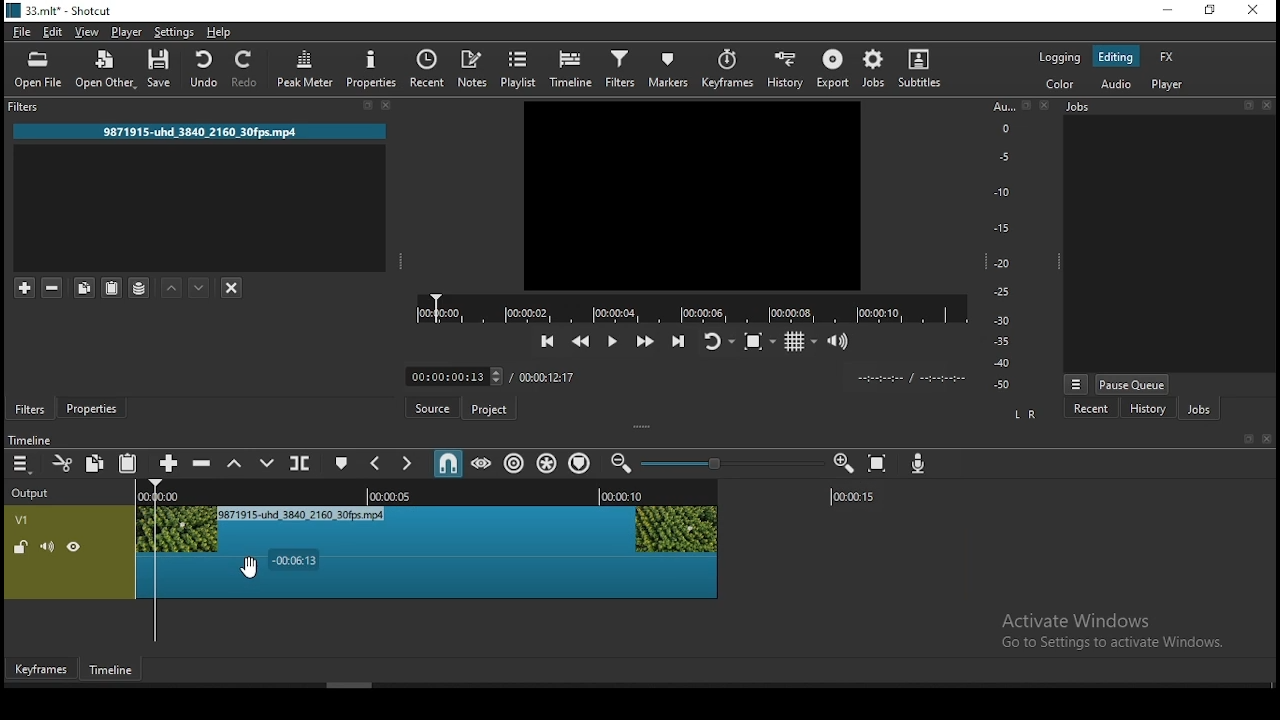 The height and width of the screenshot is (720, 1280). What do you see at coordinates (34, 106) in the screenshot?
I see `filters` at bounding box center [34, 106].